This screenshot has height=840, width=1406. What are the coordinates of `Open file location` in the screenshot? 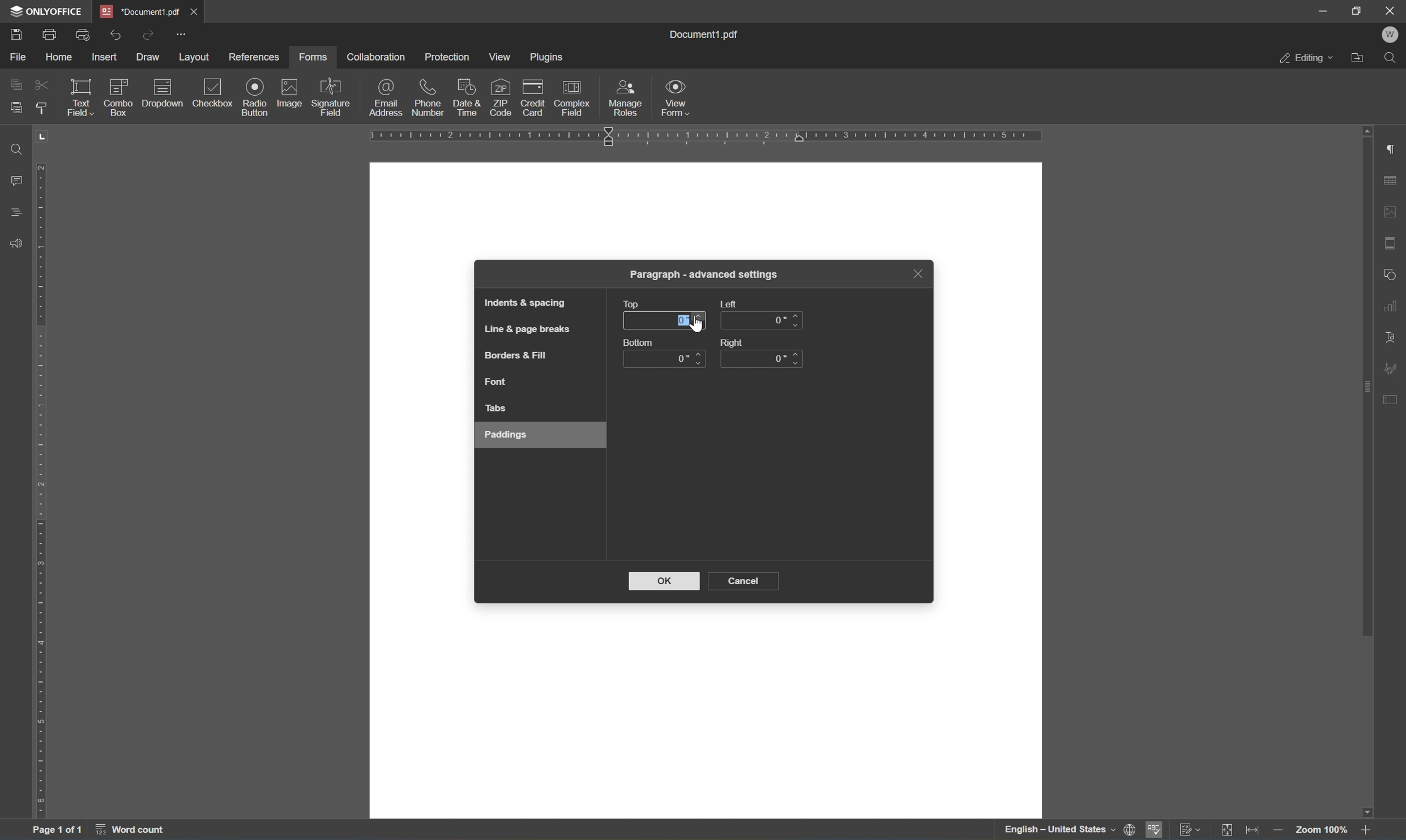 It's located at (1360, 59).